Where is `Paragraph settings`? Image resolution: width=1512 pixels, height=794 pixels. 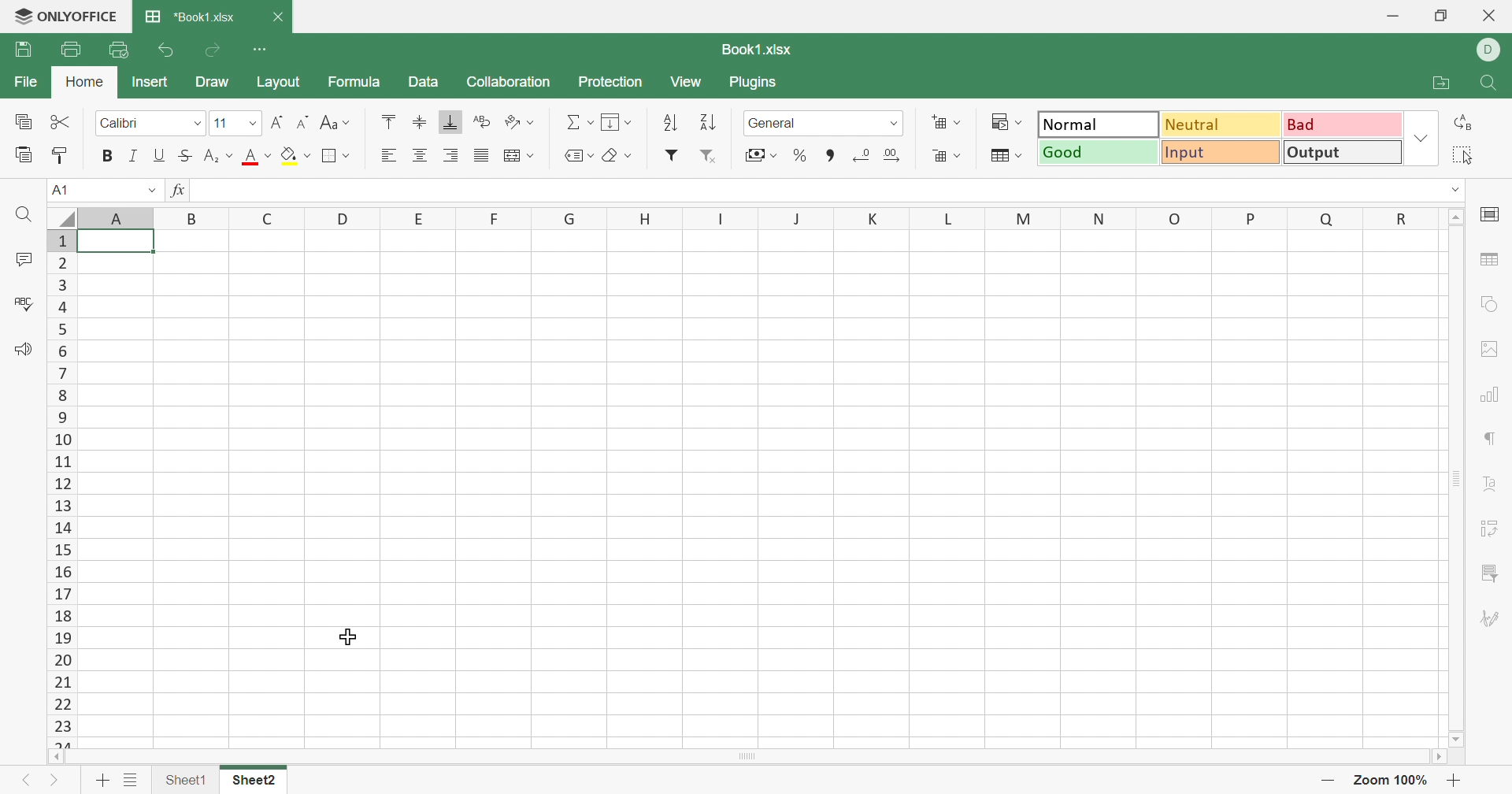
Paragraph settings is located at coordinates (1492, 436).